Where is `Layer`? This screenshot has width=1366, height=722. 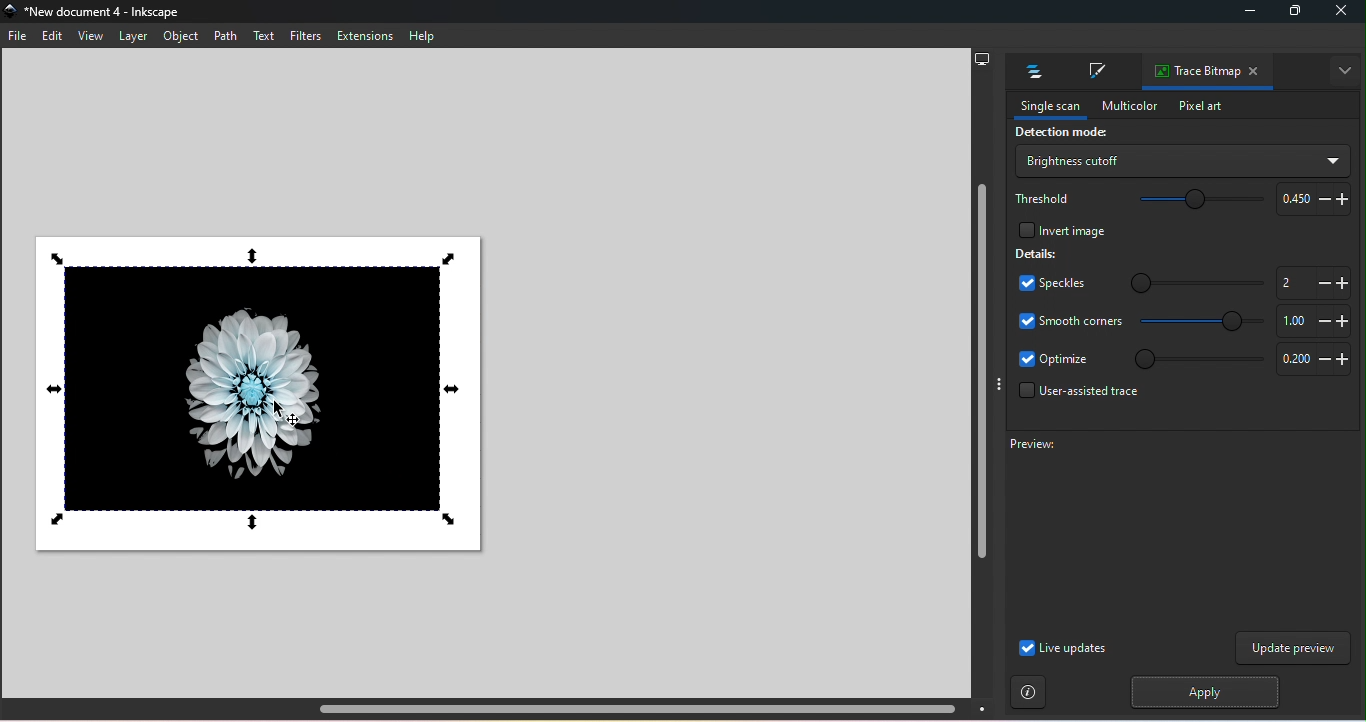
Layer is located at coordinates (132, 36).